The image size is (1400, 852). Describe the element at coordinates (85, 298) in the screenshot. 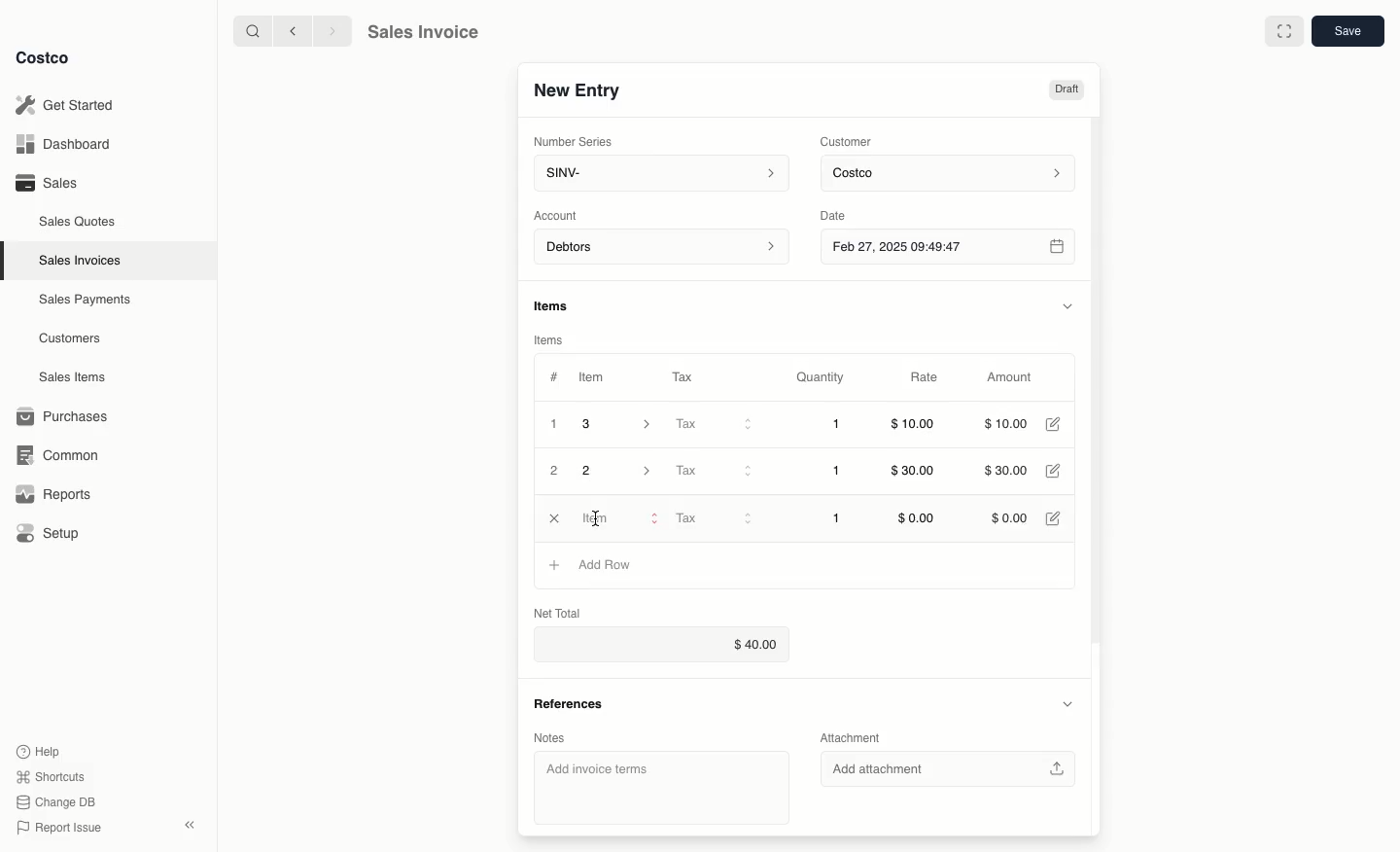

I see `‘Sales Payments` at that location.